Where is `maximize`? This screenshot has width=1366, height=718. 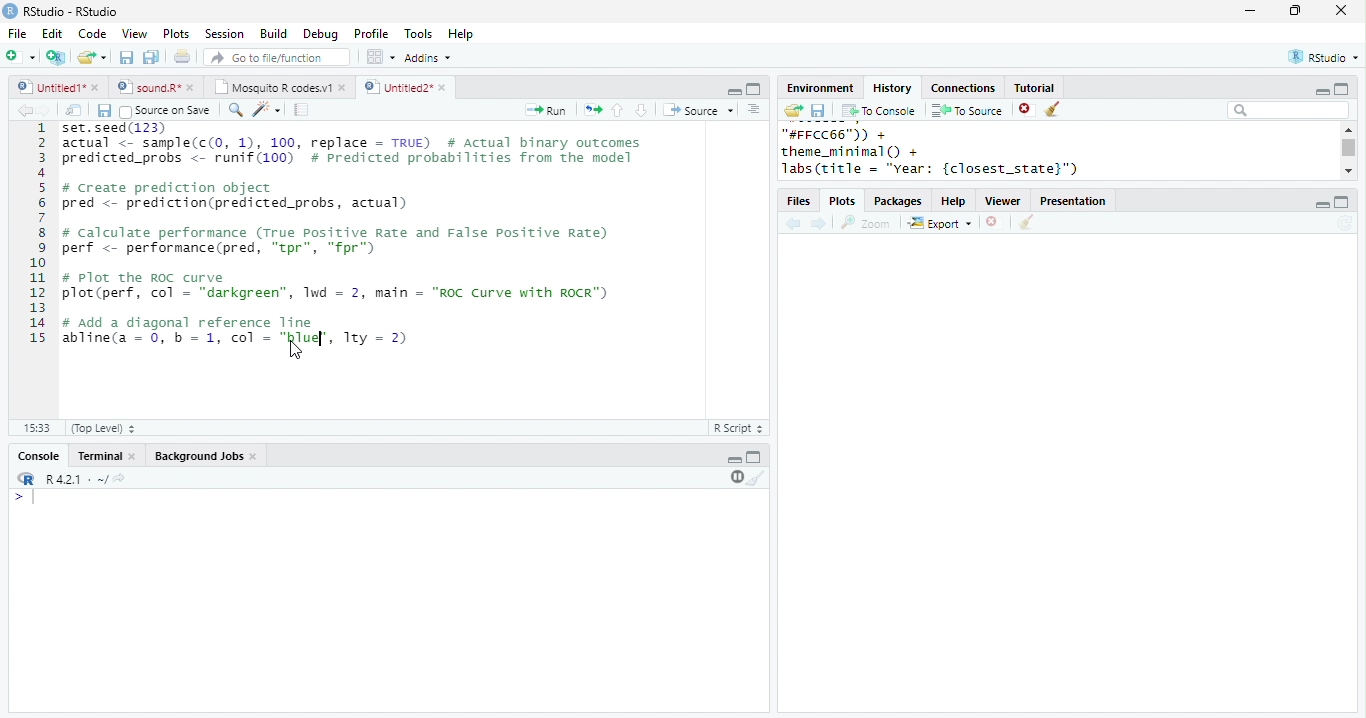
maximize is located at coordinates (754, 456).